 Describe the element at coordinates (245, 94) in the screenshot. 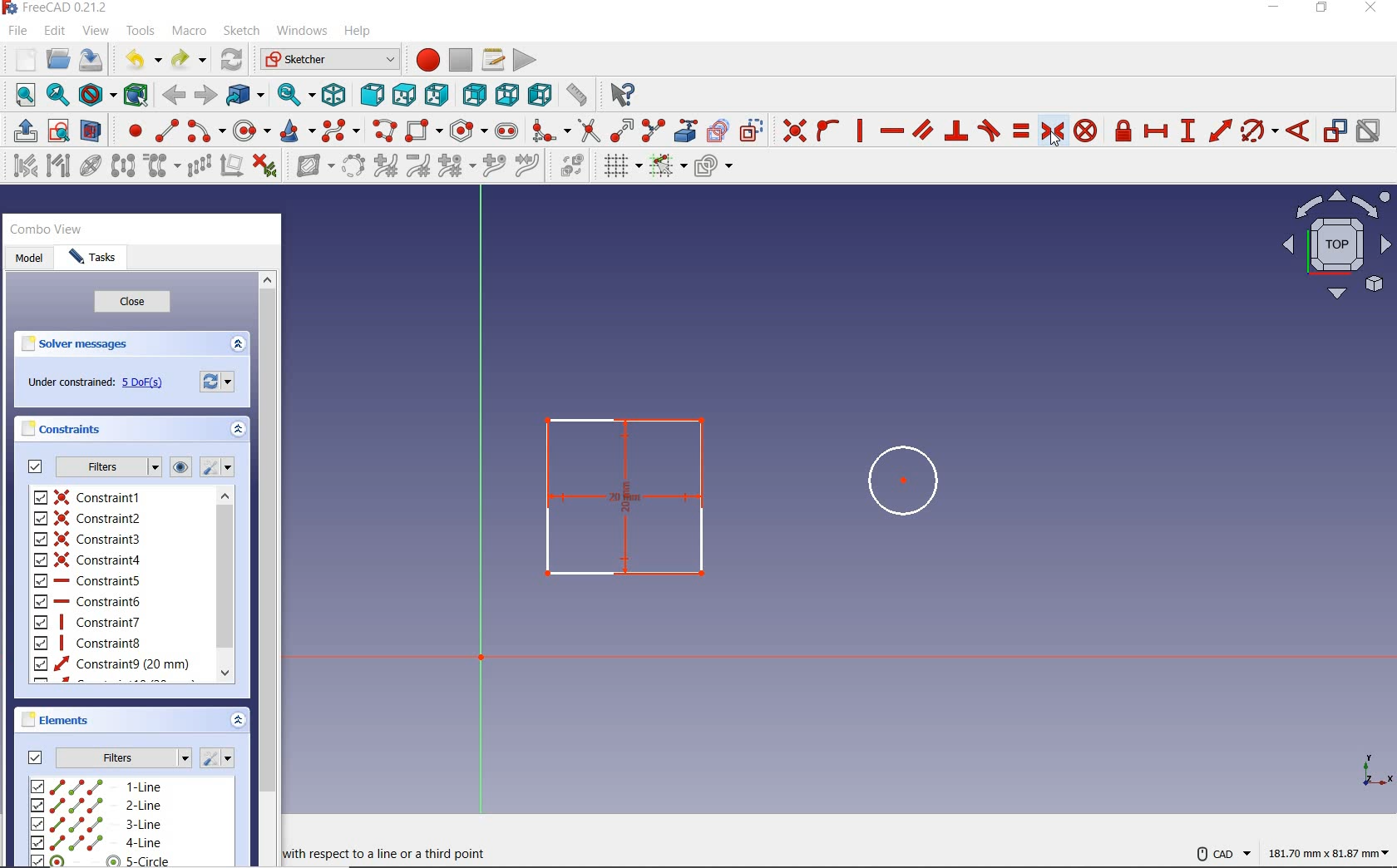

I see `go to linked object` at that location.